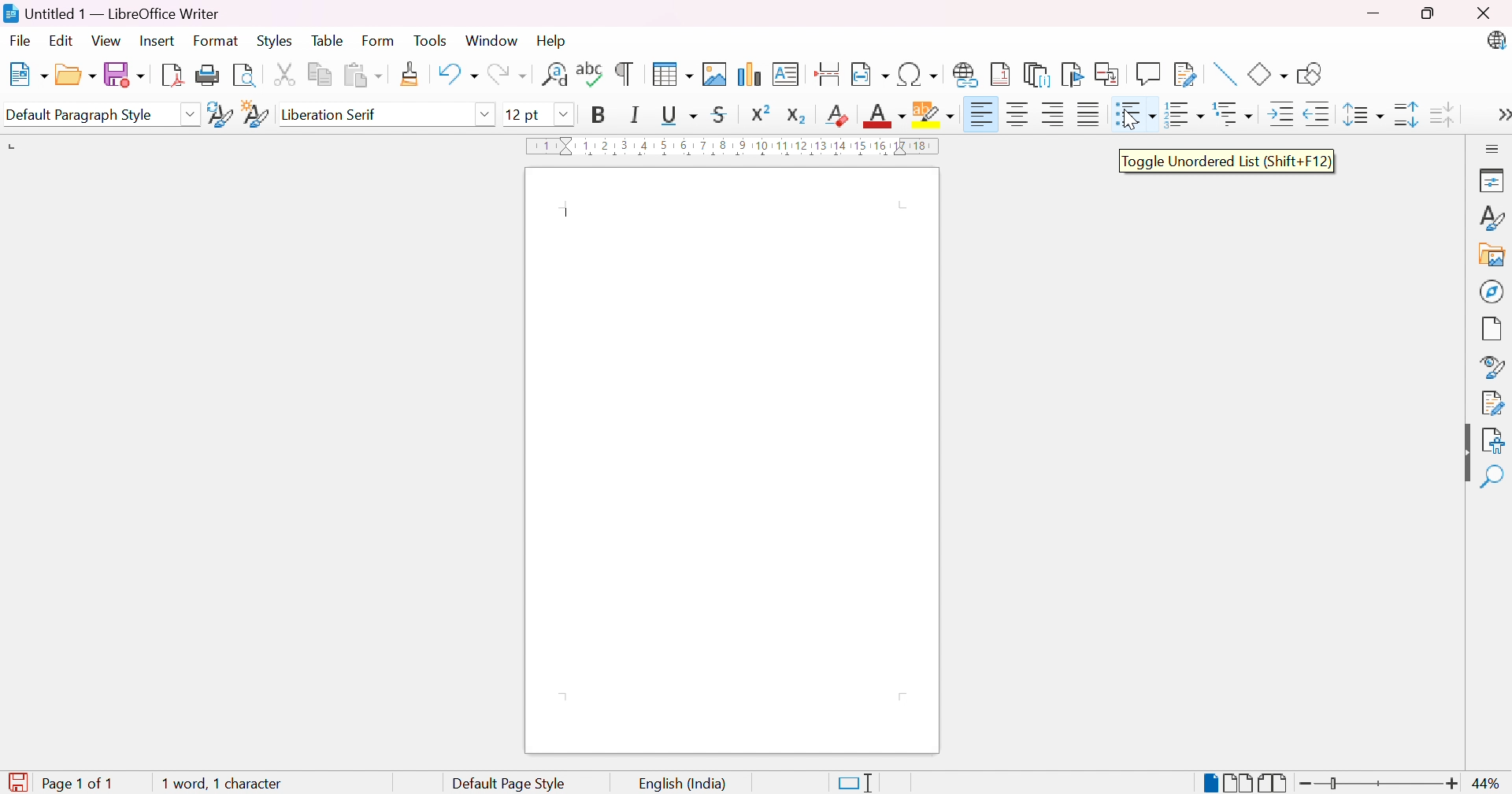 This screenshot has width=1512, height=794. I want to click on Insert field, so click(870, 76).